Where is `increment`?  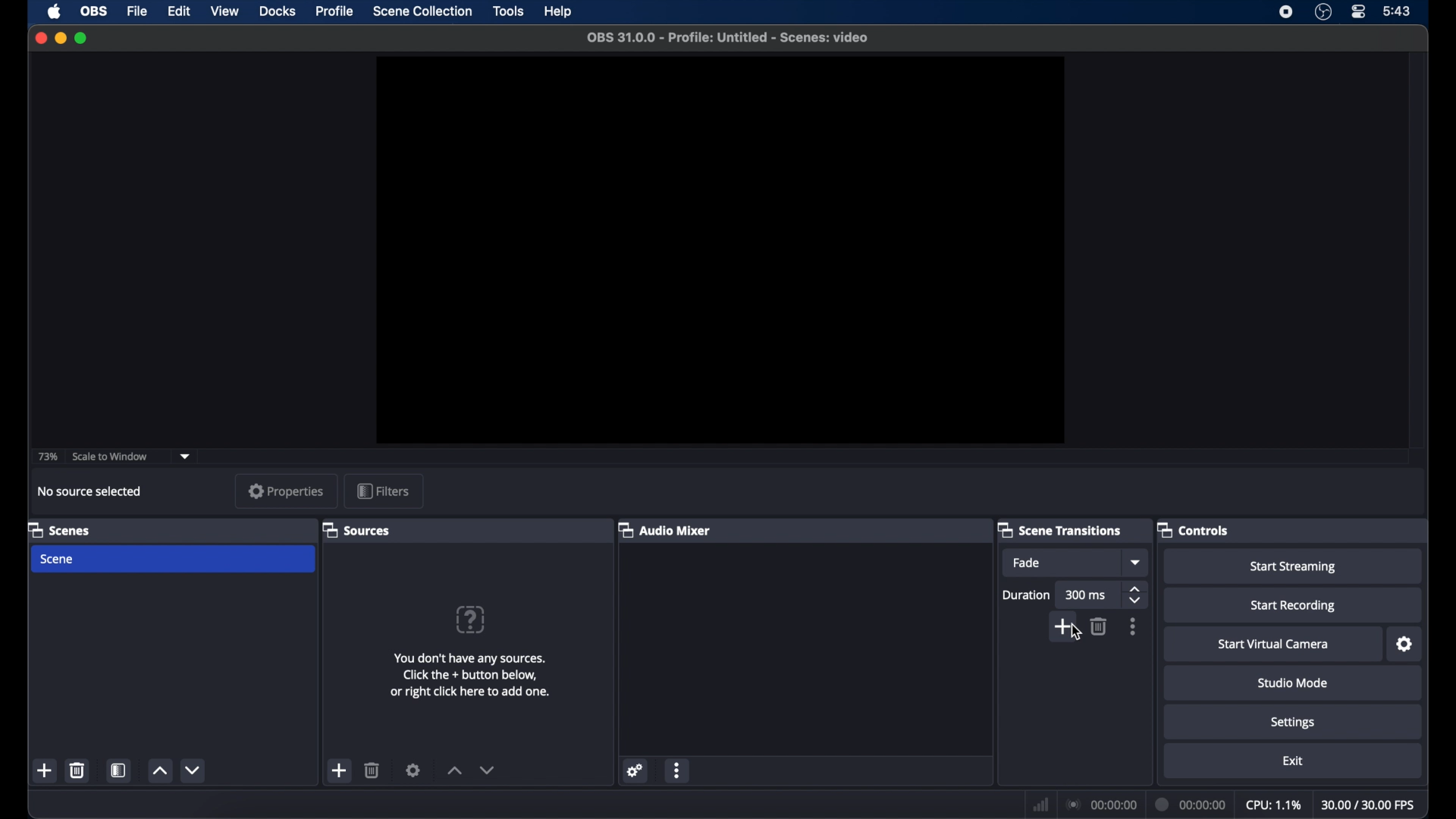
increment is located at coordinates (162, 770).